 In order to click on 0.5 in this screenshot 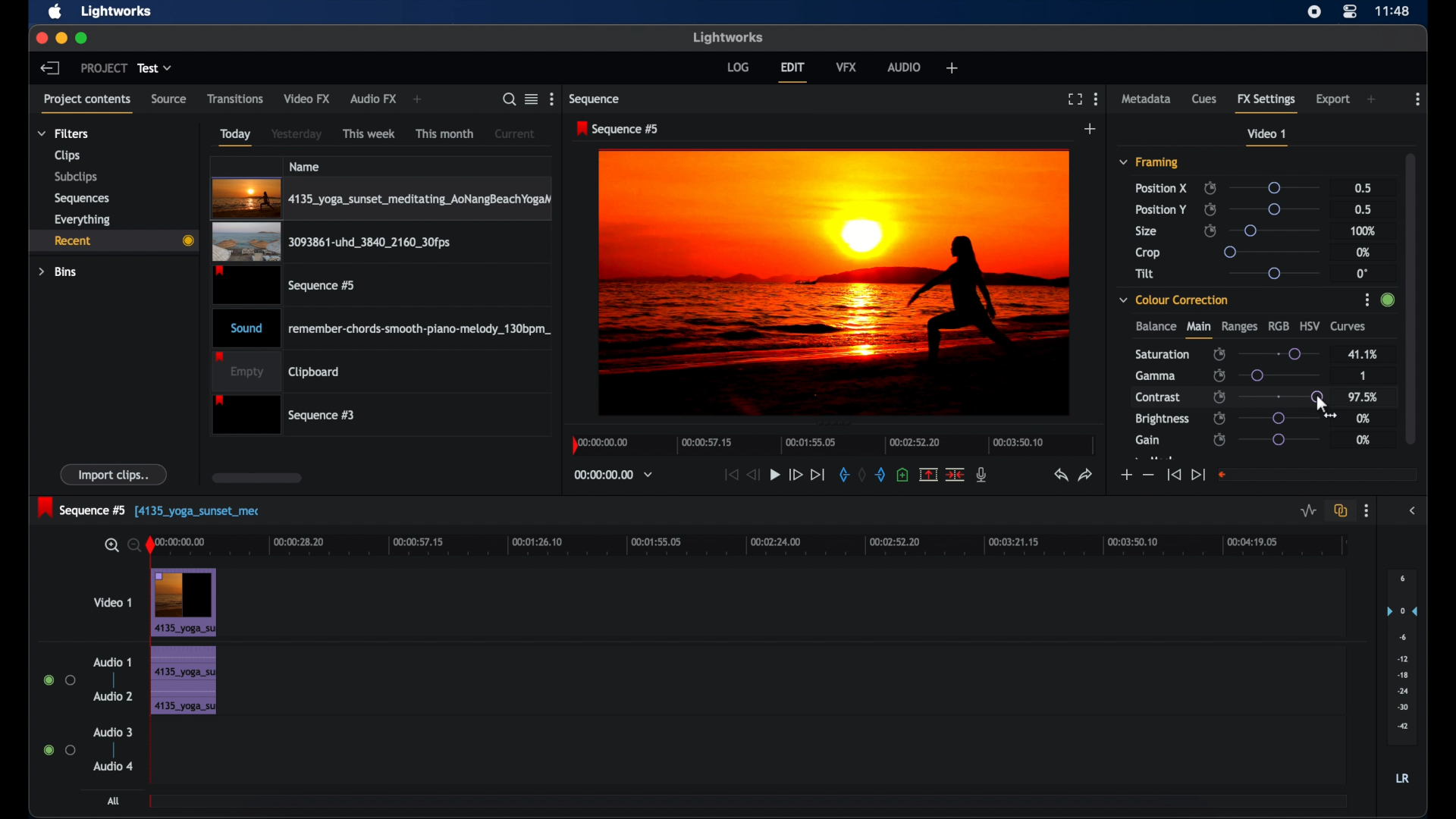, I will do `click(1361, 187)`.